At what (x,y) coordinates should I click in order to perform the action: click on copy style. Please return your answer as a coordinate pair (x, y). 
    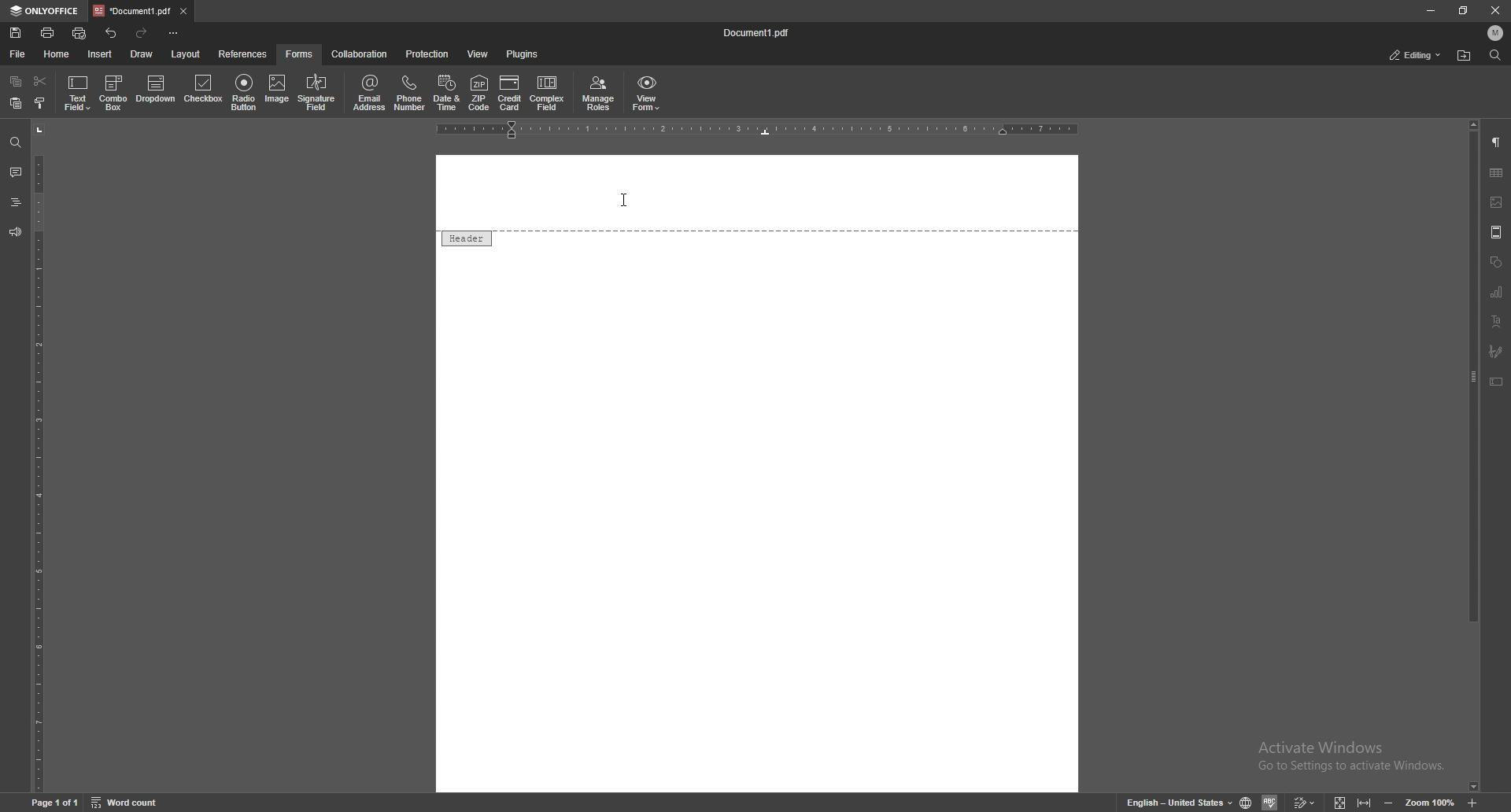
    Looking at the image, I should click on (41, 104).